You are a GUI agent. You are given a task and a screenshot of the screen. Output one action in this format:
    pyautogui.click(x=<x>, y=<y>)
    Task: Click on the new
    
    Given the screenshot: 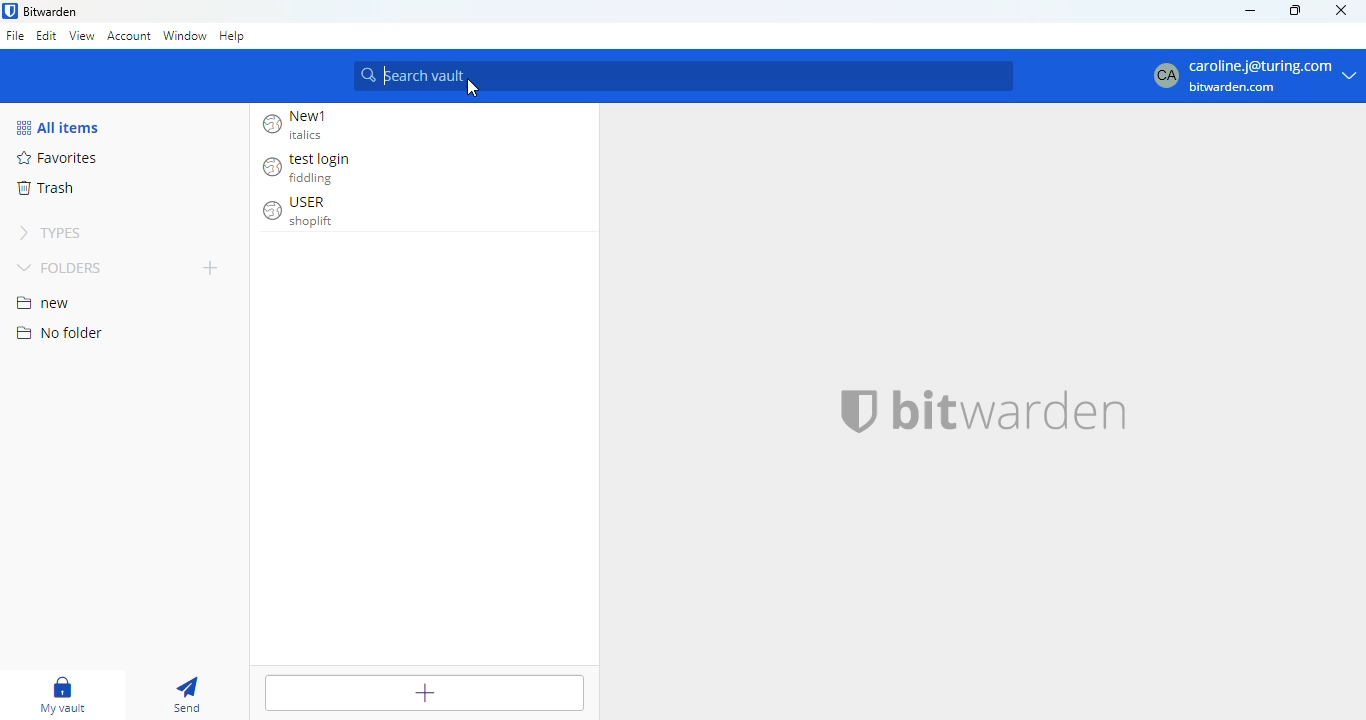 What is the action you would take?
    pyautogui.click(x=44, y=303)
    